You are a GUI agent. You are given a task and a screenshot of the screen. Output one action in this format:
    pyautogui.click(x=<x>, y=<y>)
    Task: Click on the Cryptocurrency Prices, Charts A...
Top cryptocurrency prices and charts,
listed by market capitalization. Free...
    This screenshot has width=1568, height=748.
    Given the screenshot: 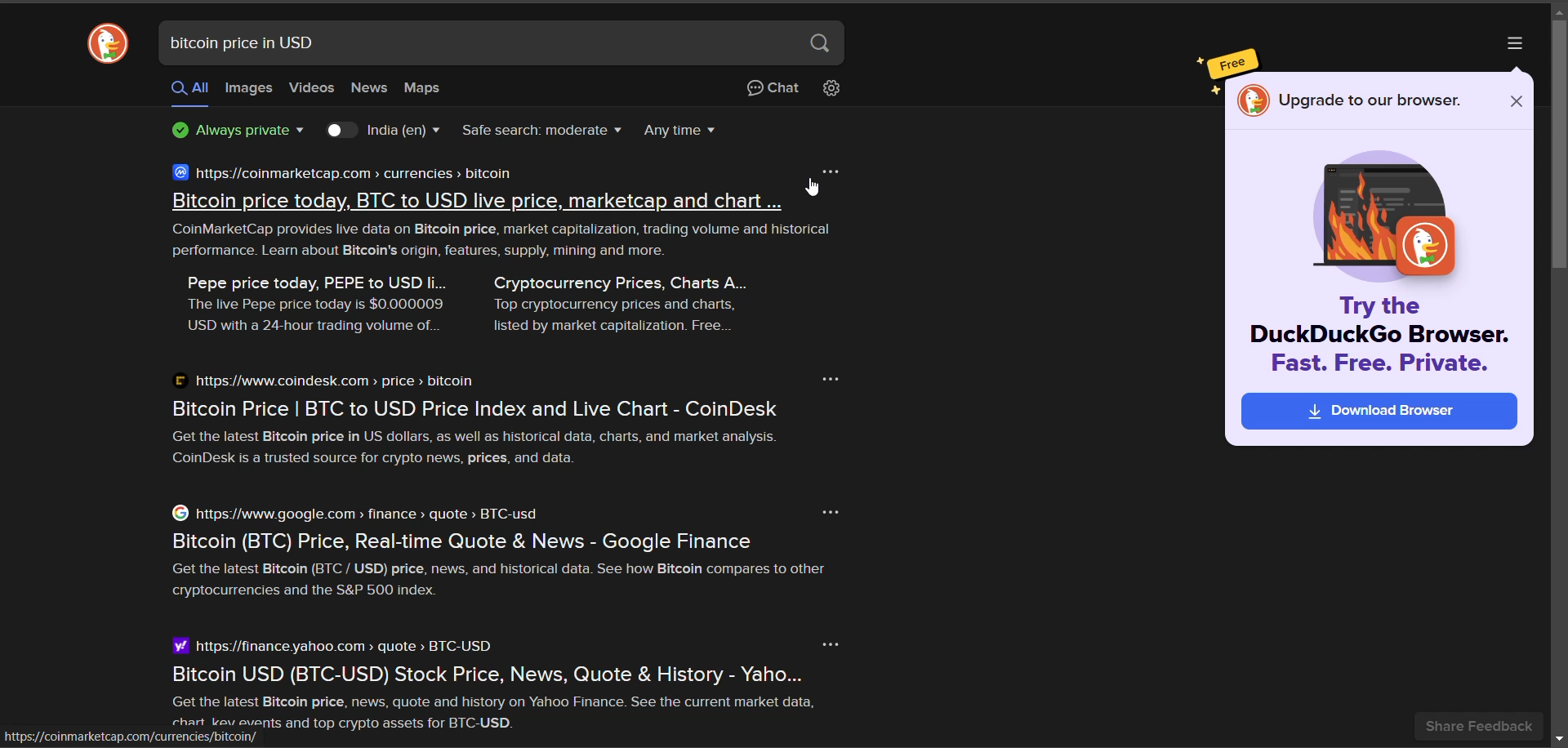 What is the action you would take?
    pyautogui.click(x=625, y=307)
    